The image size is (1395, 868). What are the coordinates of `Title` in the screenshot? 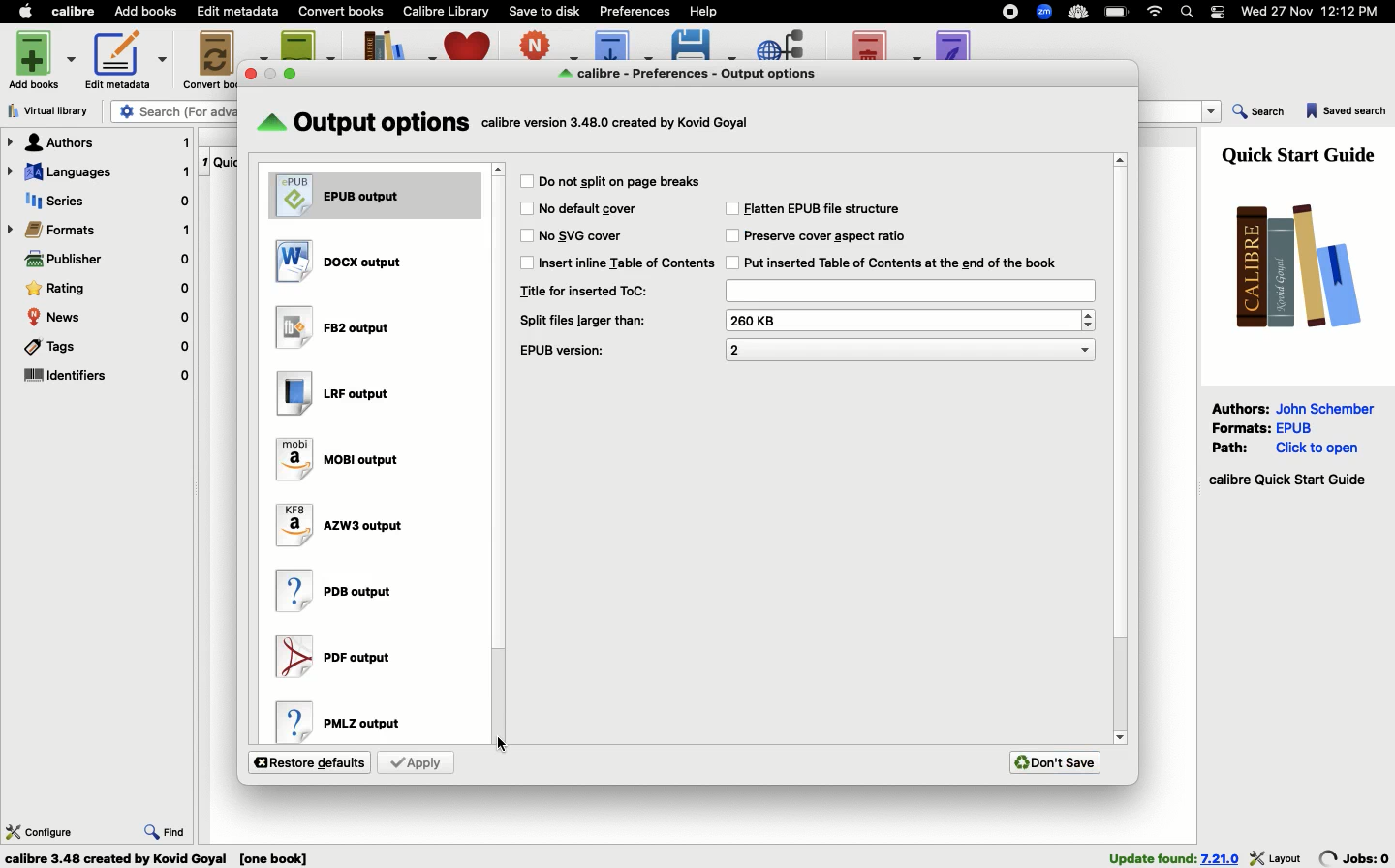 It's located at (584, 291).